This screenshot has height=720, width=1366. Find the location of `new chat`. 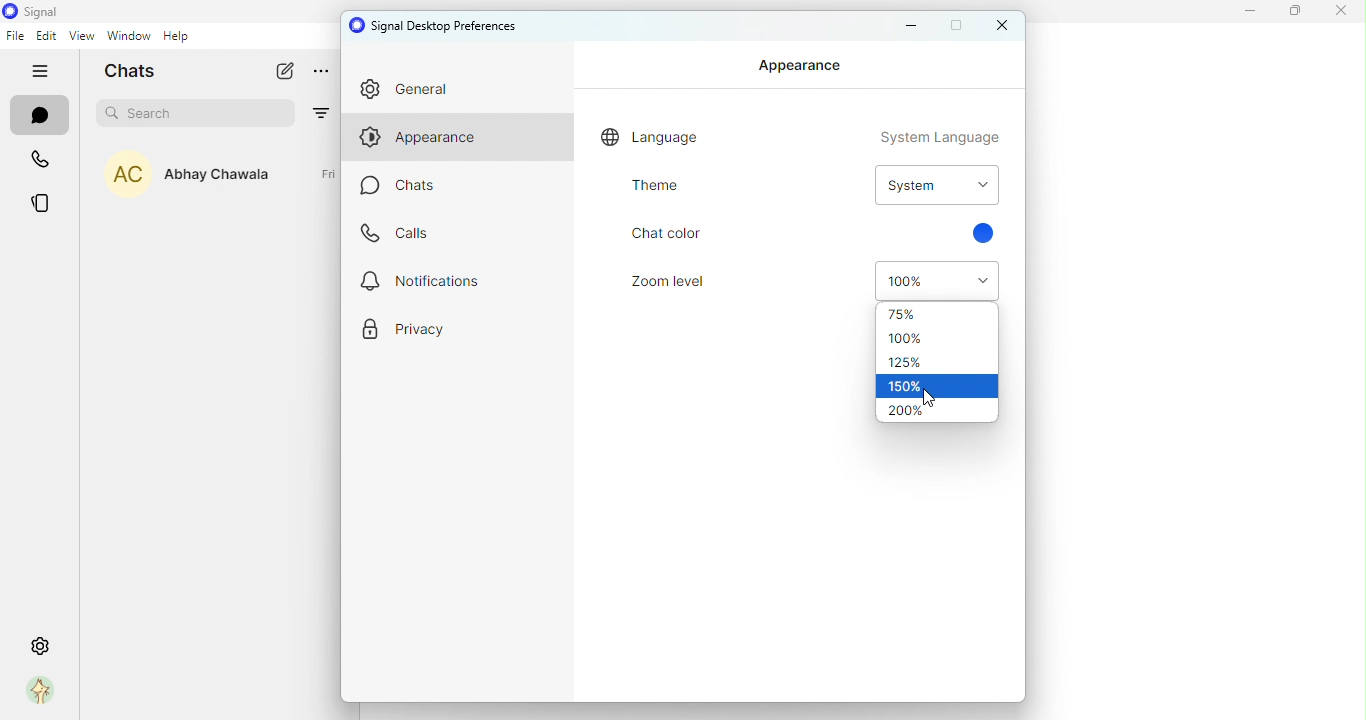

new chat is located at coordinates (287, 73).